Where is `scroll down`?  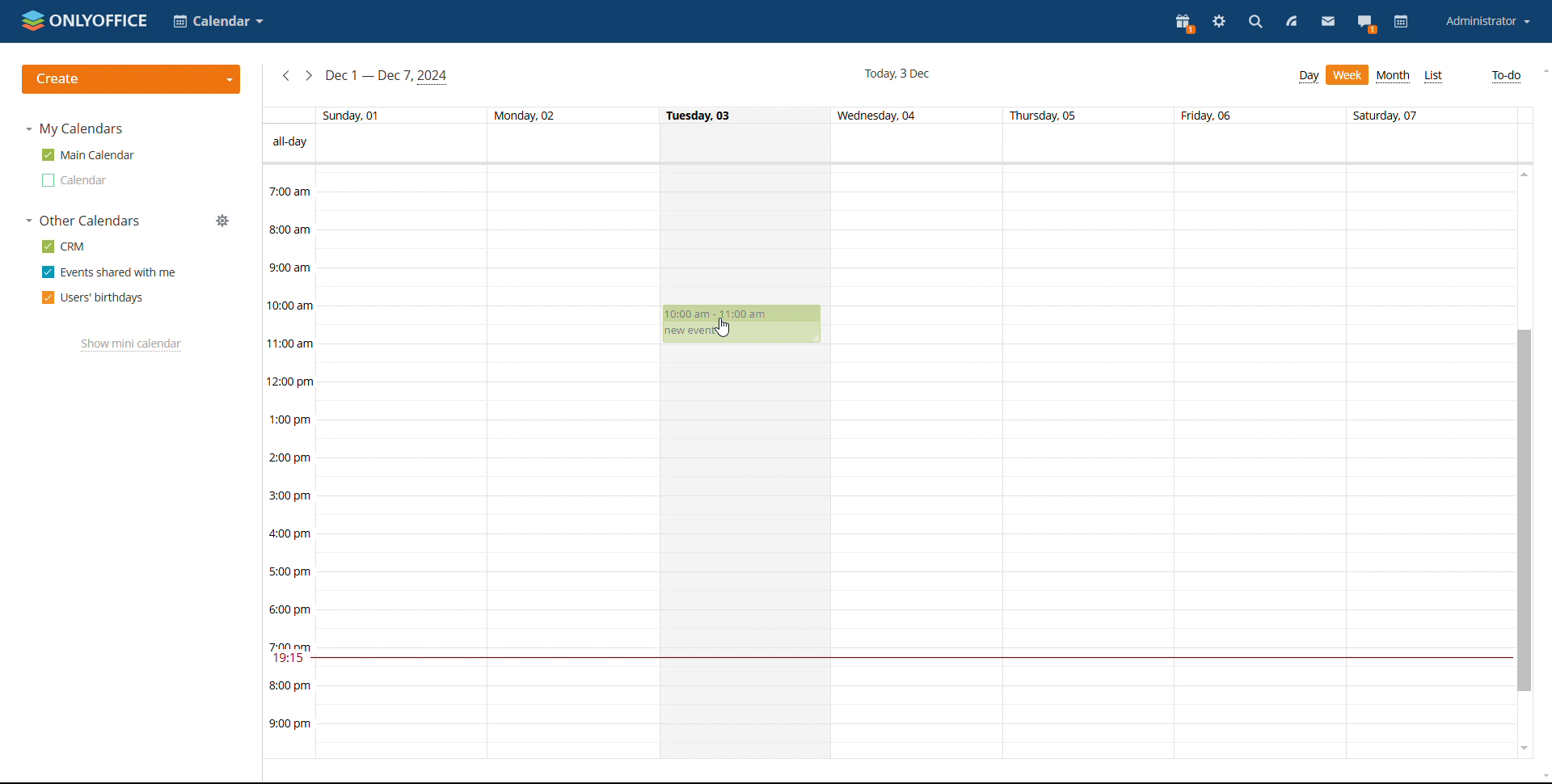
scroll down is located at coordinates (1525, 748).